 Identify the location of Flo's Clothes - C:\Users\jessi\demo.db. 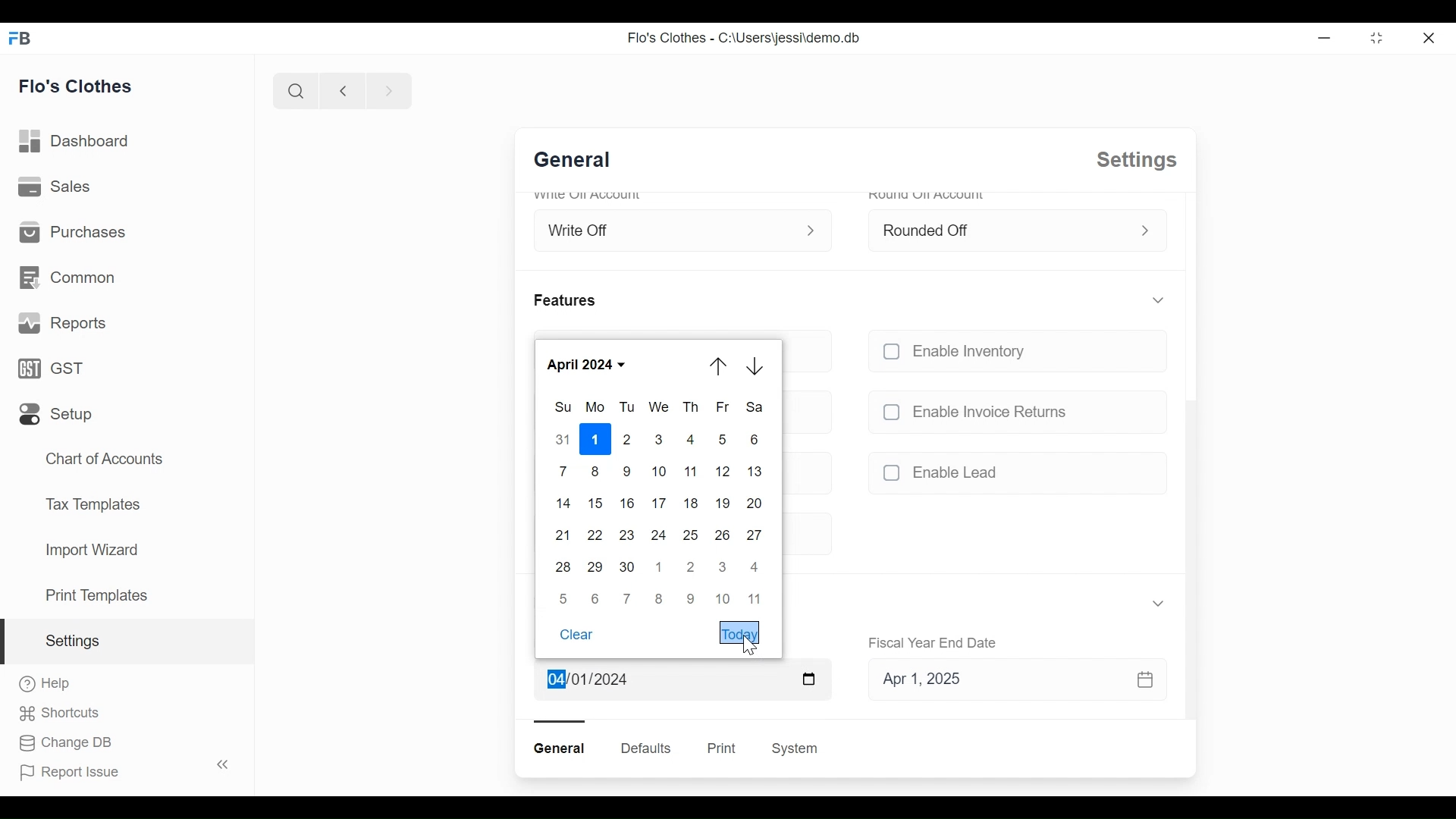
(742, 38).